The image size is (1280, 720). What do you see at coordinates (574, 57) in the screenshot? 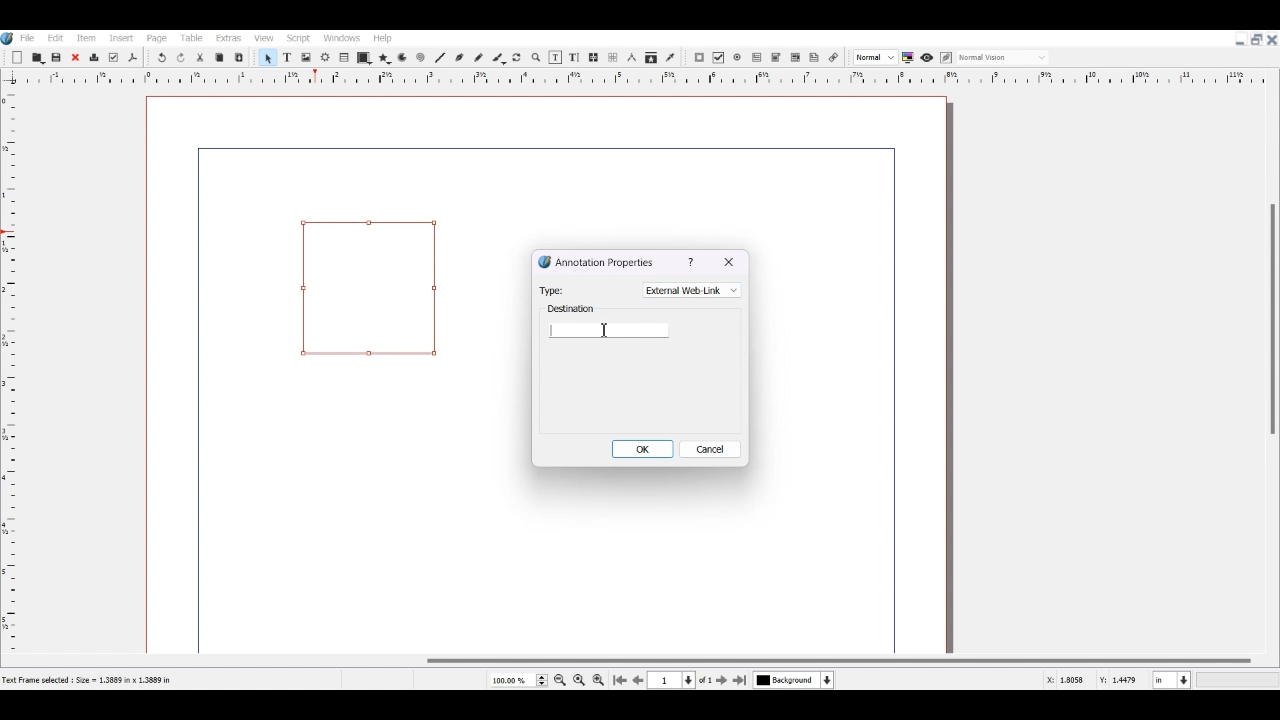
I see `Edit Text` at bounding box center [574, 57].